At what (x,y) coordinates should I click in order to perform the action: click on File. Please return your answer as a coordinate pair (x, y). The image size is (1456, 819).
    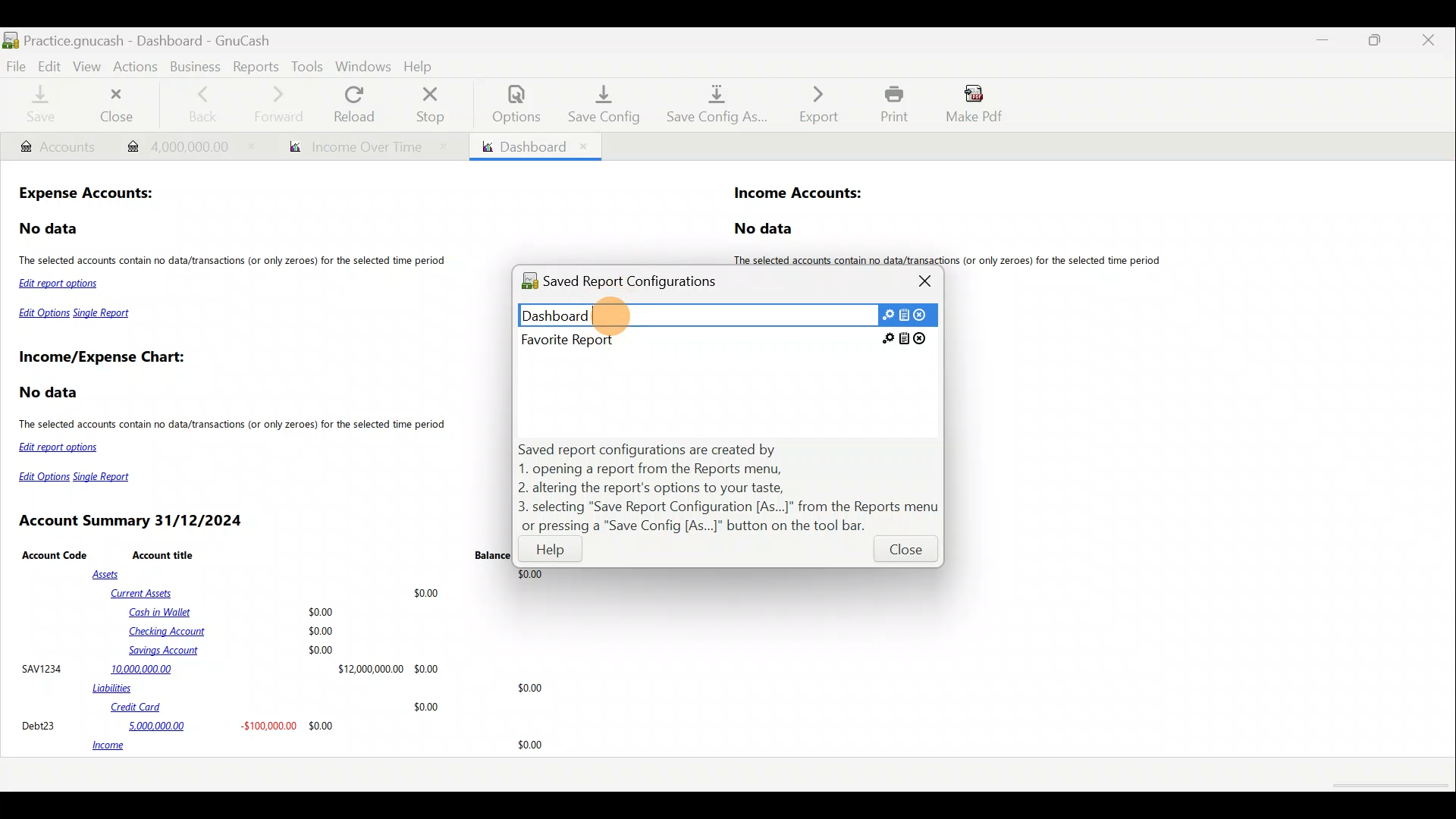
    Looking at the image, I should click on (17, 65).